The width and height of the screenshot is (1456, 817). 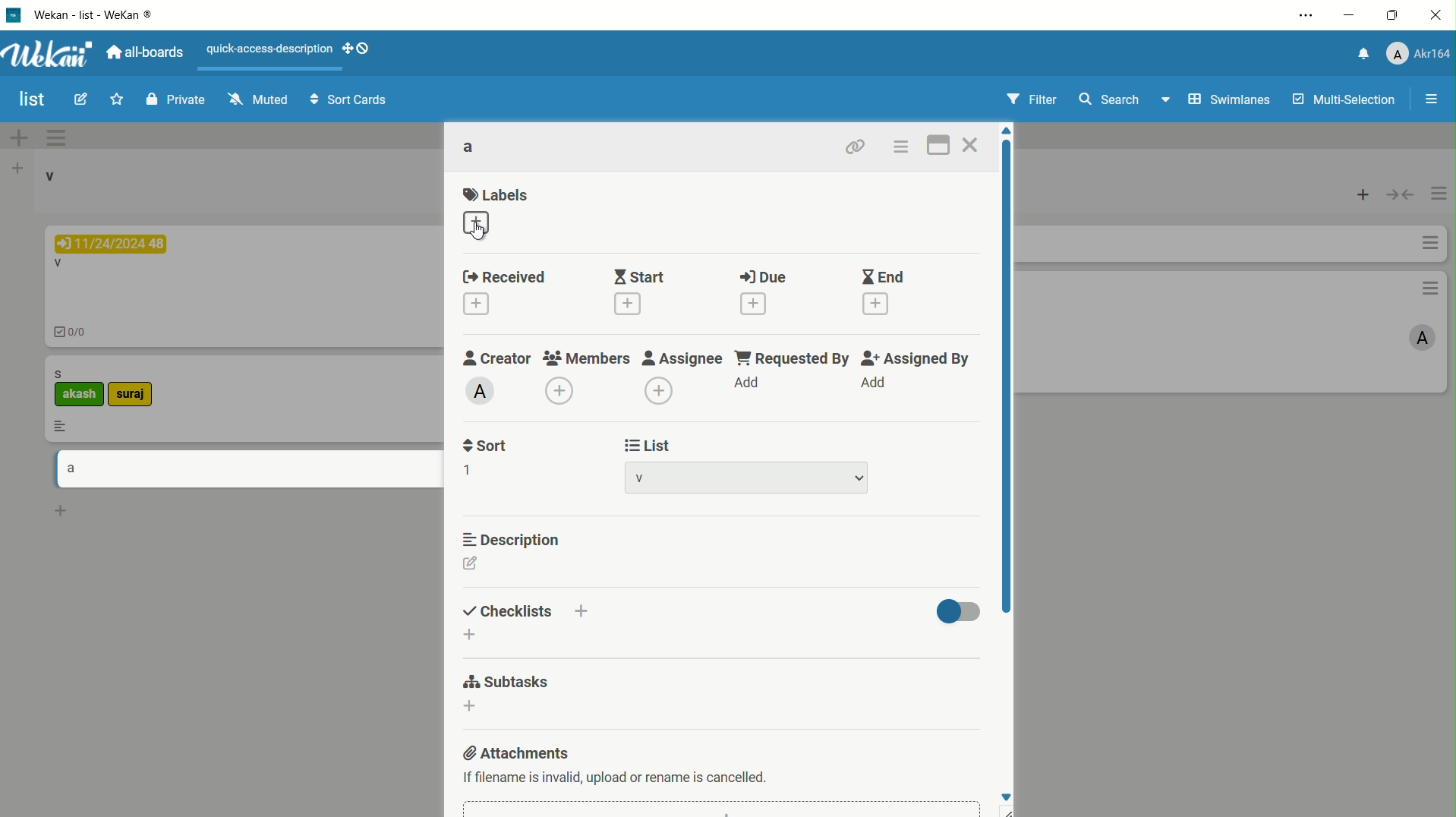 I want to click on all boards, so click(x=148, y=51).